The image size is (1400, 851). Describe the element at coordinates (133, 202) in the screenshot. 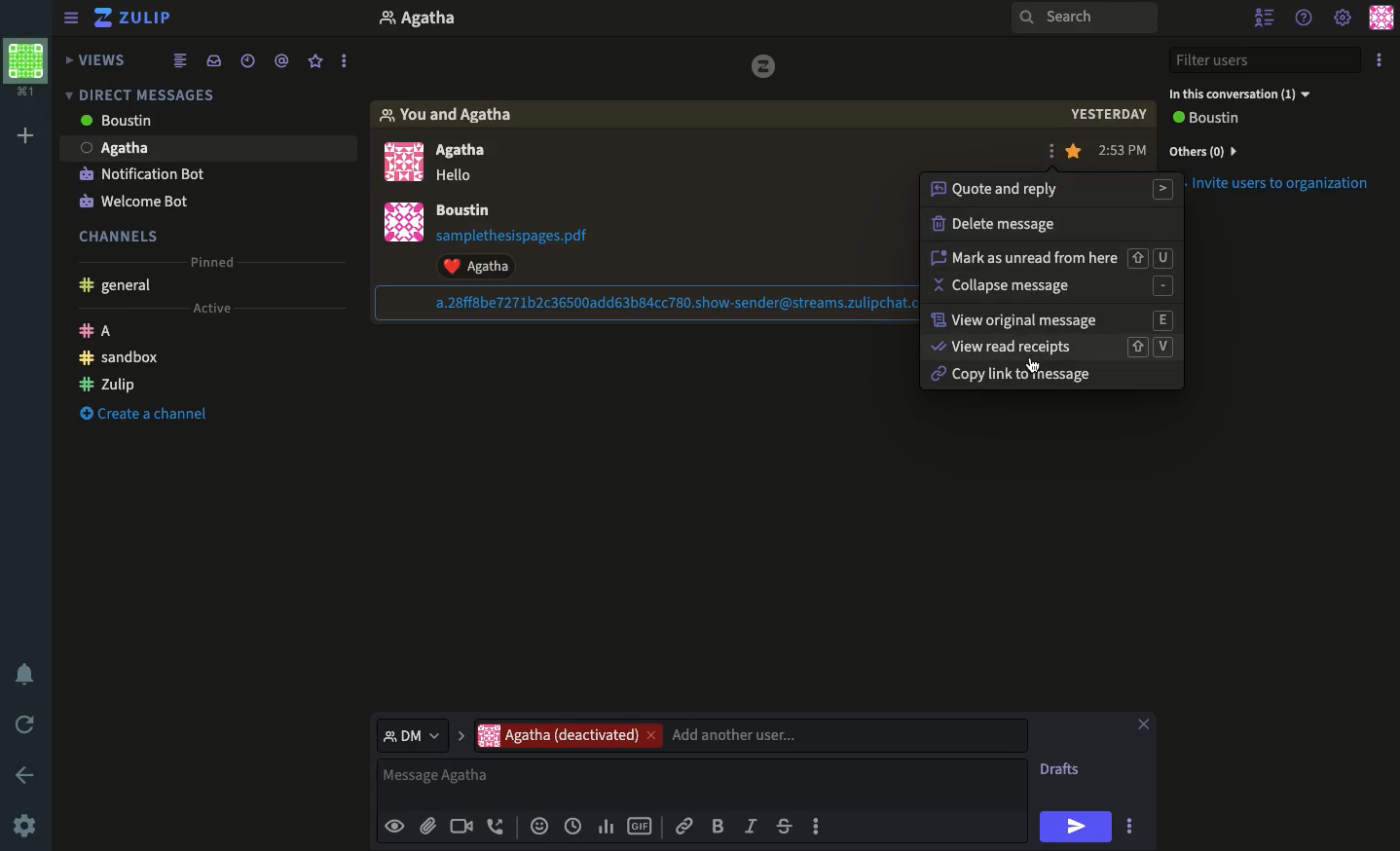

I see `Welcome bot` at that location.